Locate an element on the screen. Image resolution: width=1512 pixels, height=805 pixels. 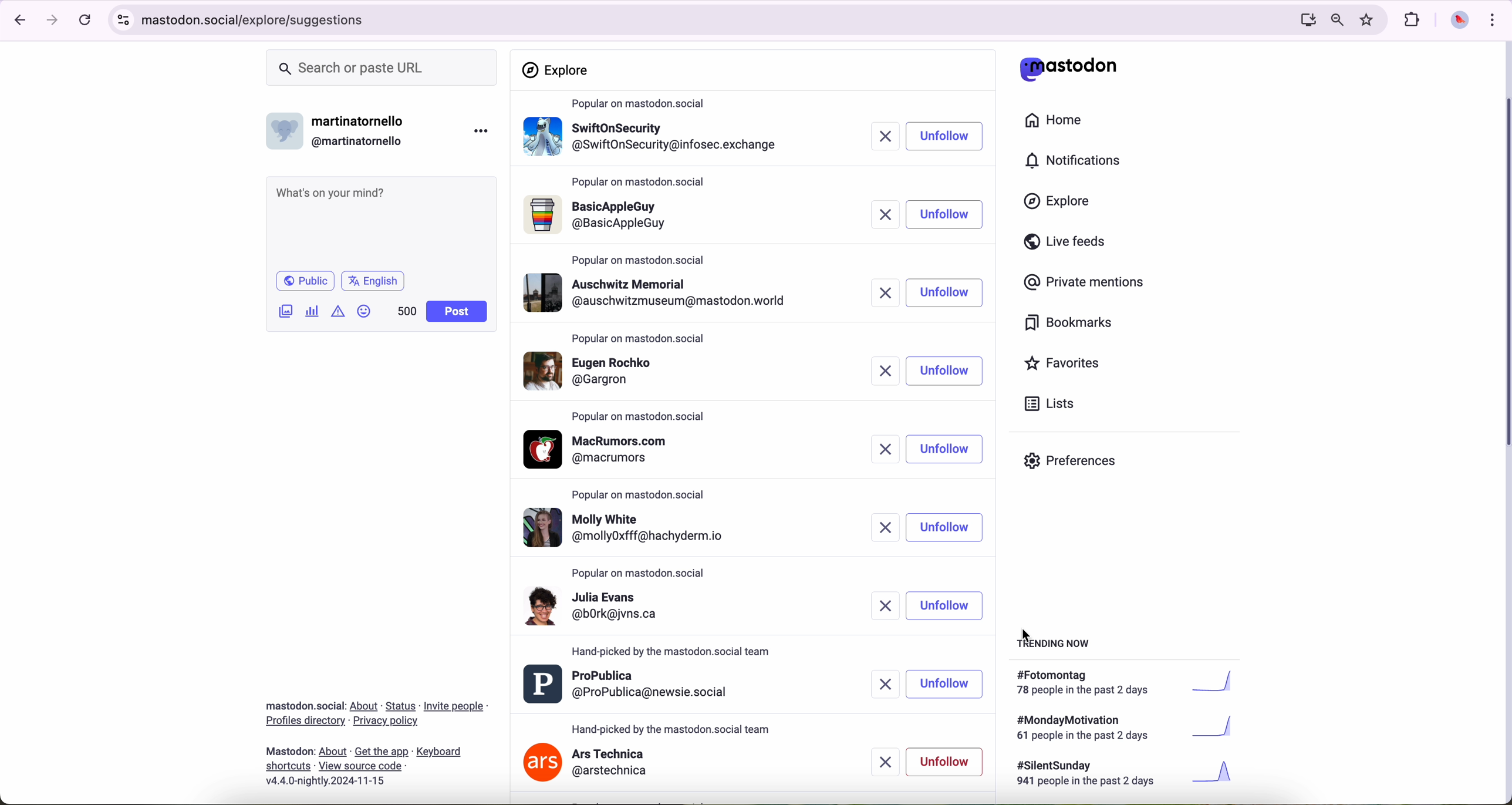
popular on mastodon.social is located at coordinates (673, 652).